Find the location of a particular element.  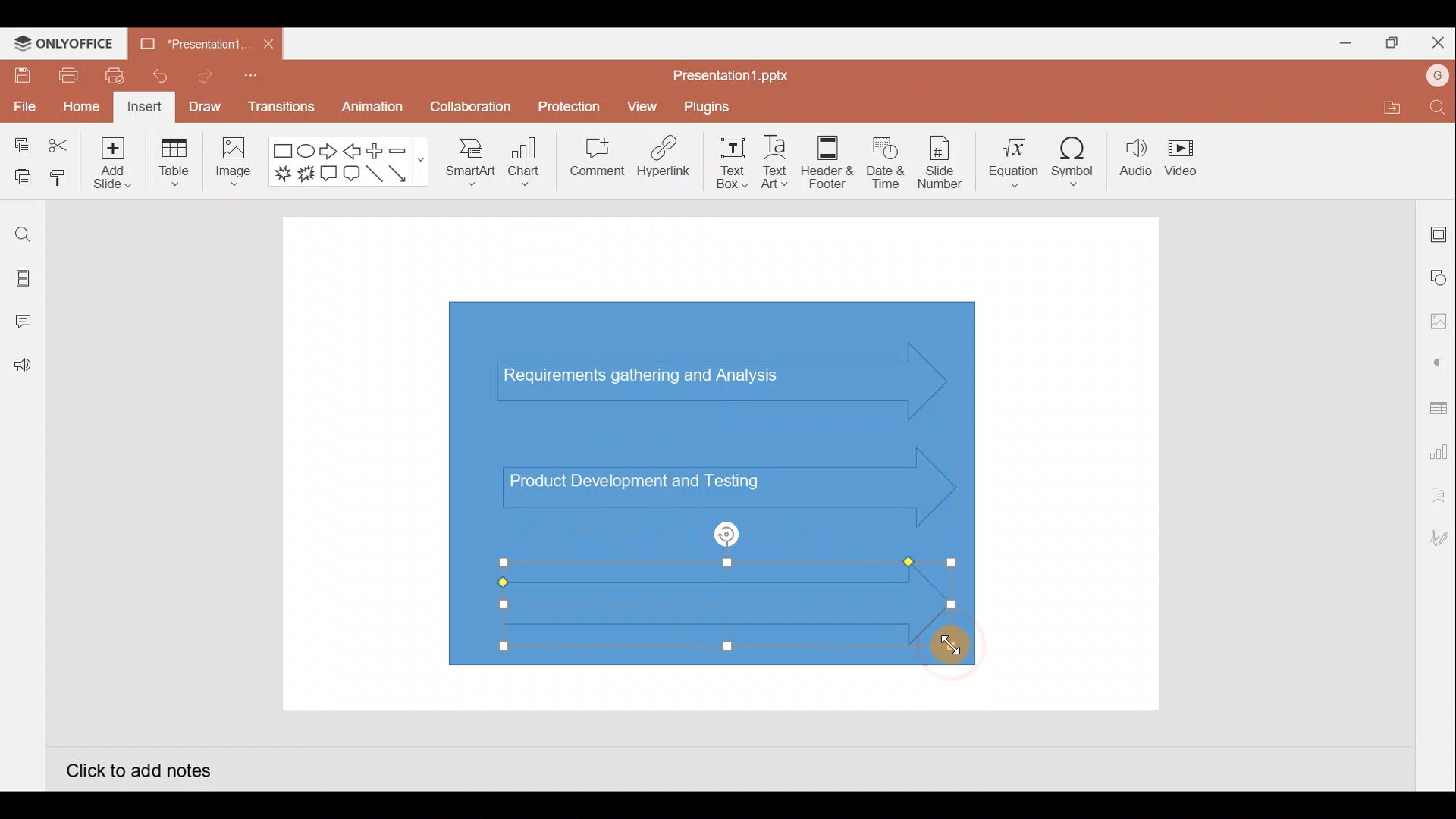

Cut is located at coordinates (59, 146).